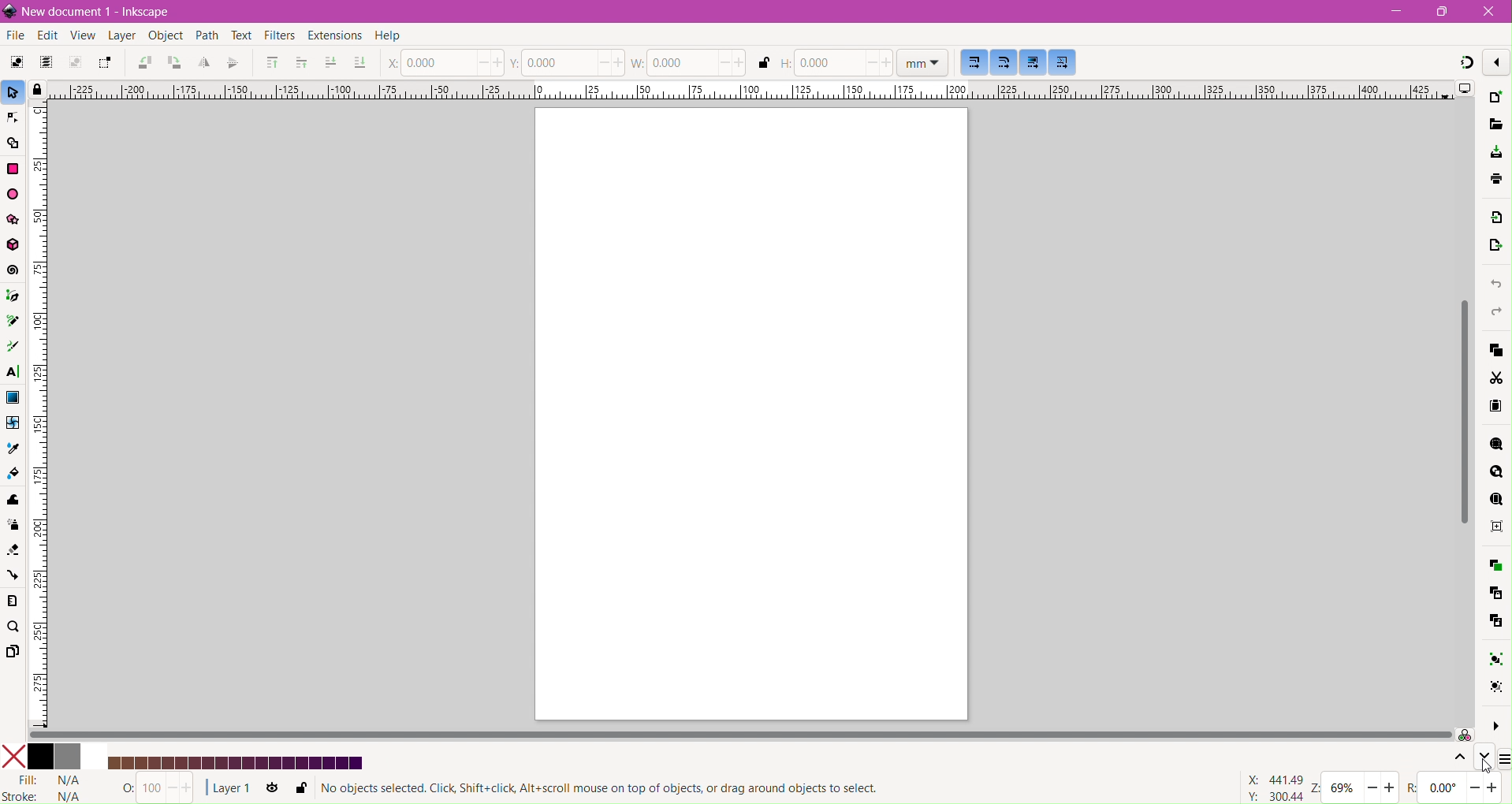 Image resolution: width=1512 pixels, height=804 pixels. Describe the element at coordinates (1493, 687) in the screenshot. I see `Ungroup` at that location.